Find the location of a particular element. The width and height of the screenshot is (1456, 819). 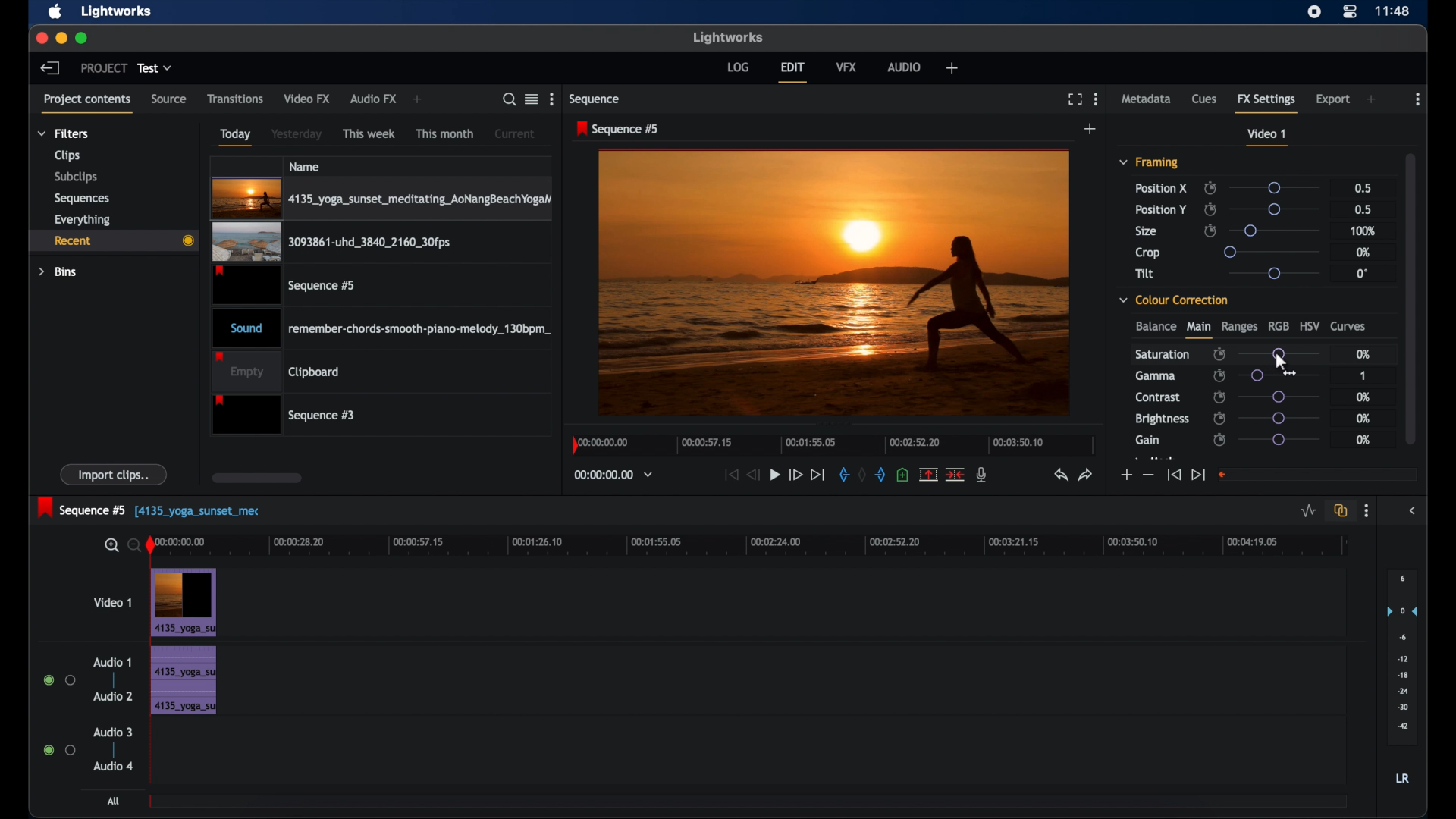

enable/disable keyframes is located at coordinates (1210, 209).